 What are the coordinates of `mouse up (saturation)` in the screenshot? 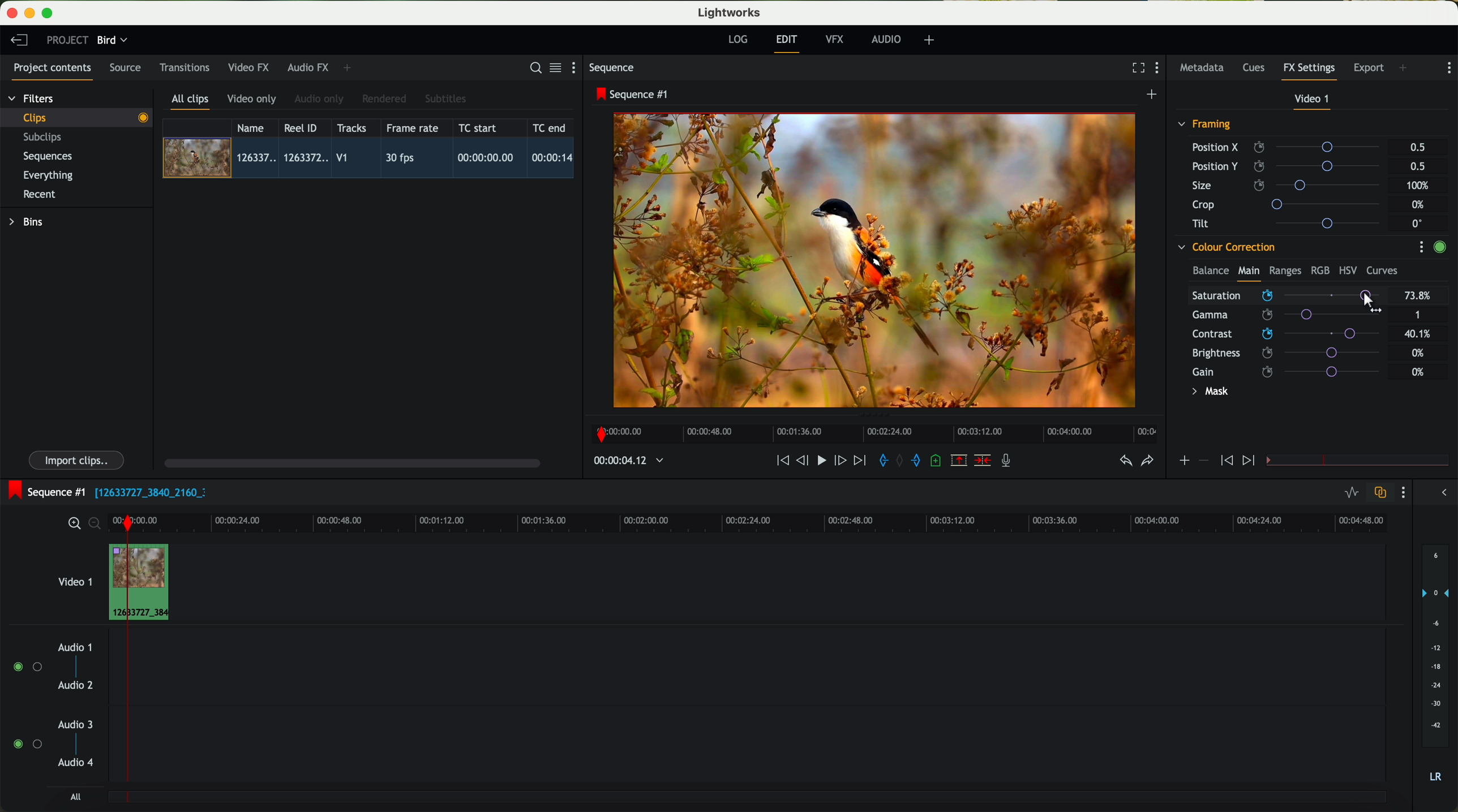 It's located at (1287, 295).